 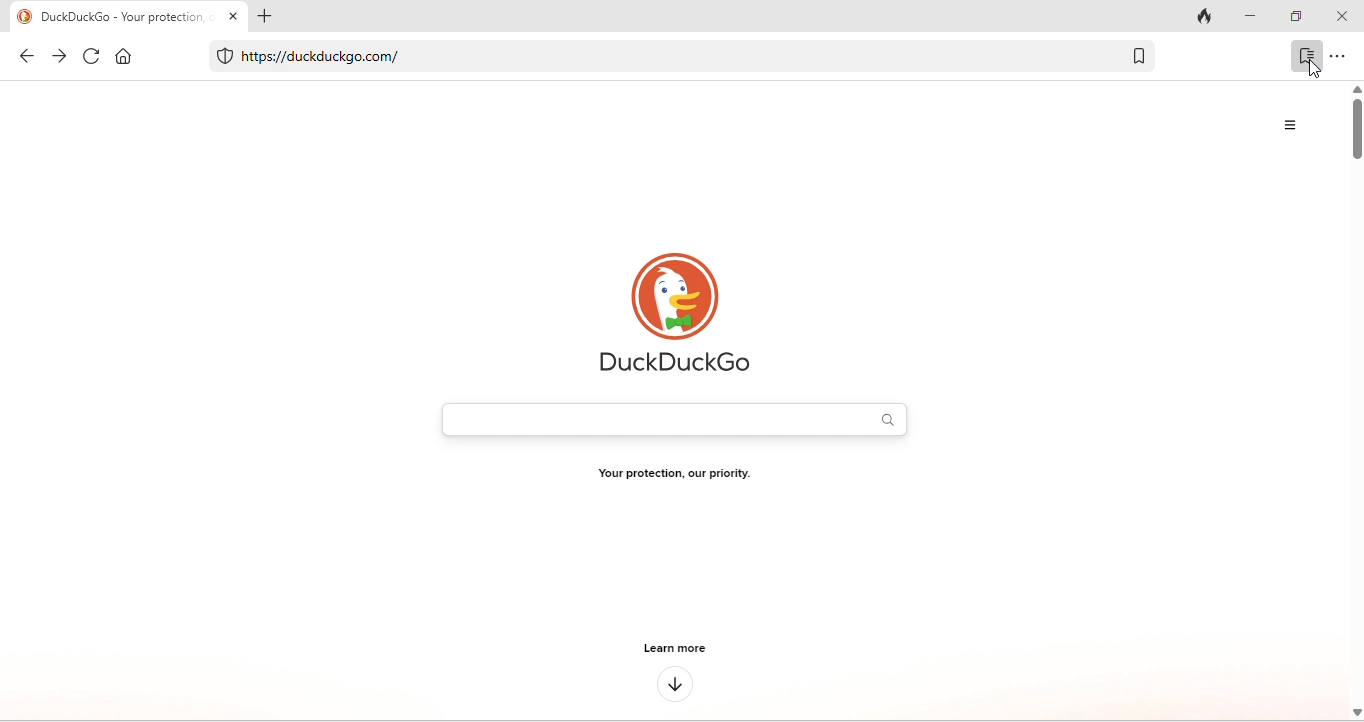 What do you see at coordinates (1205, 18) in the screenshot?
I see `track tab` at bounding box center [1205, 18].